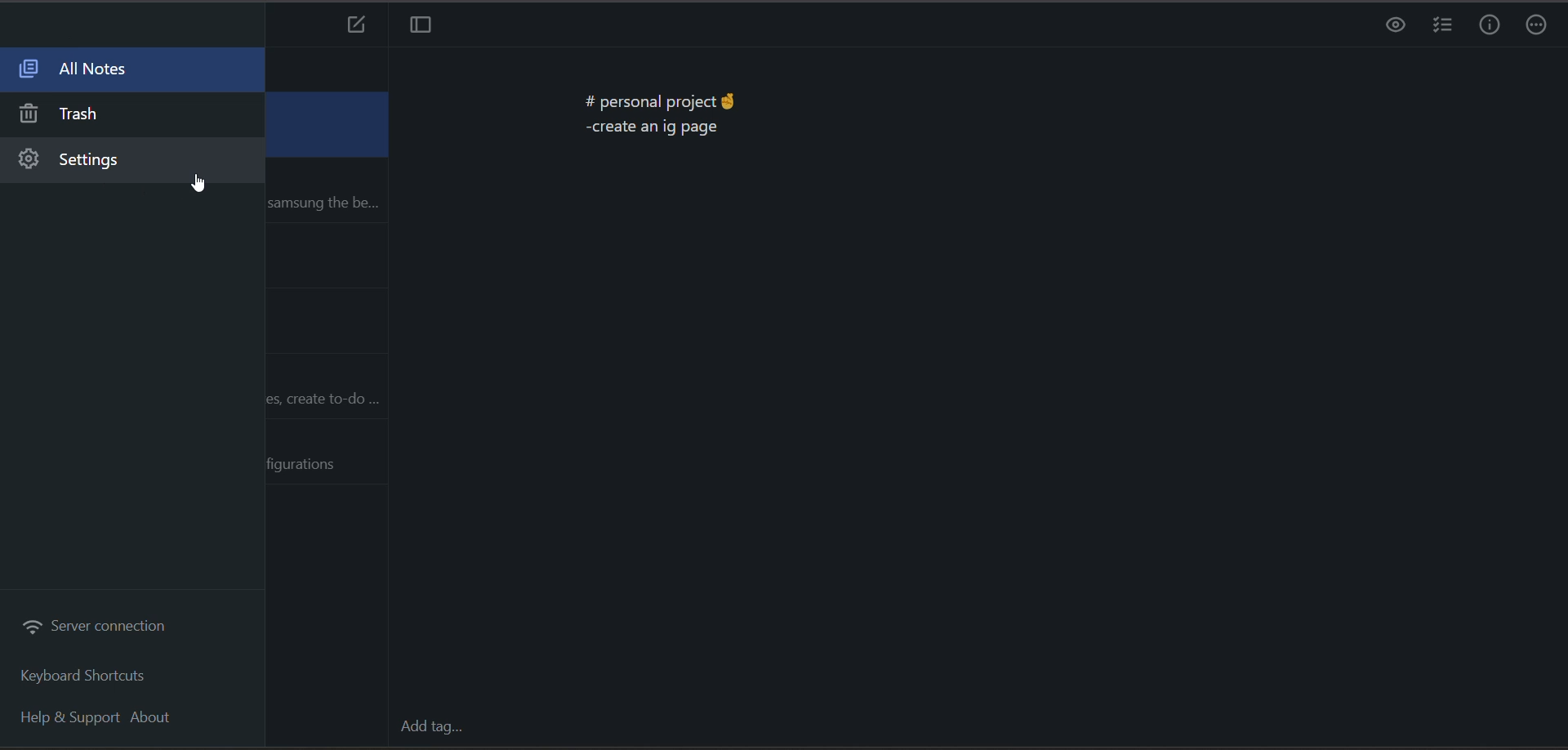 The height and width of the screenshot is (750, 1568). What do you see at coordinates (159, 720) in the screenshot?
I see `about` at bounding box center [159, 720].